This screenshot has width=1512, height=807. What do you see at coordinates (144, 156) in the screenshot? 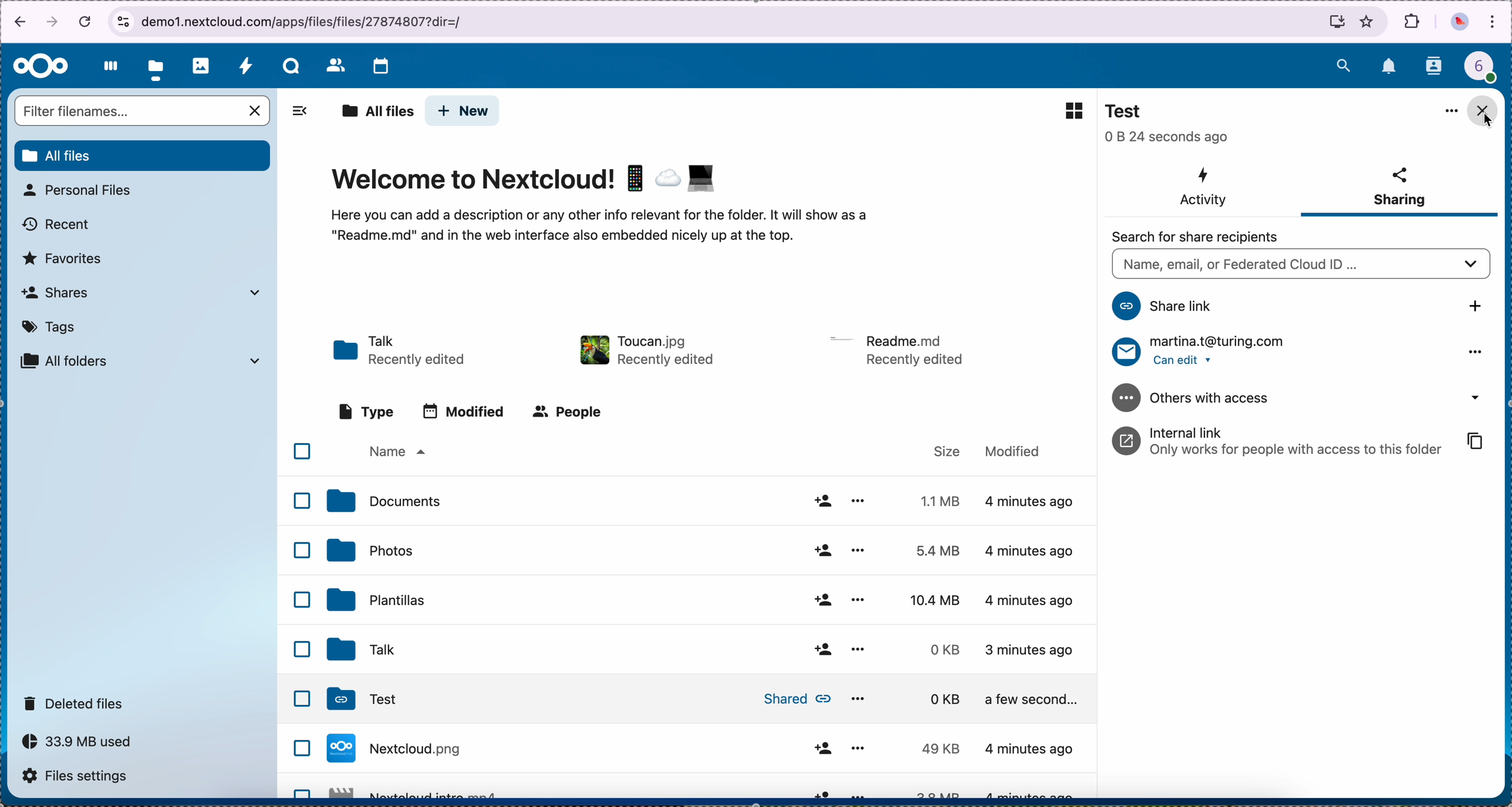
I see `all files button` at bounding box center [144, 156].